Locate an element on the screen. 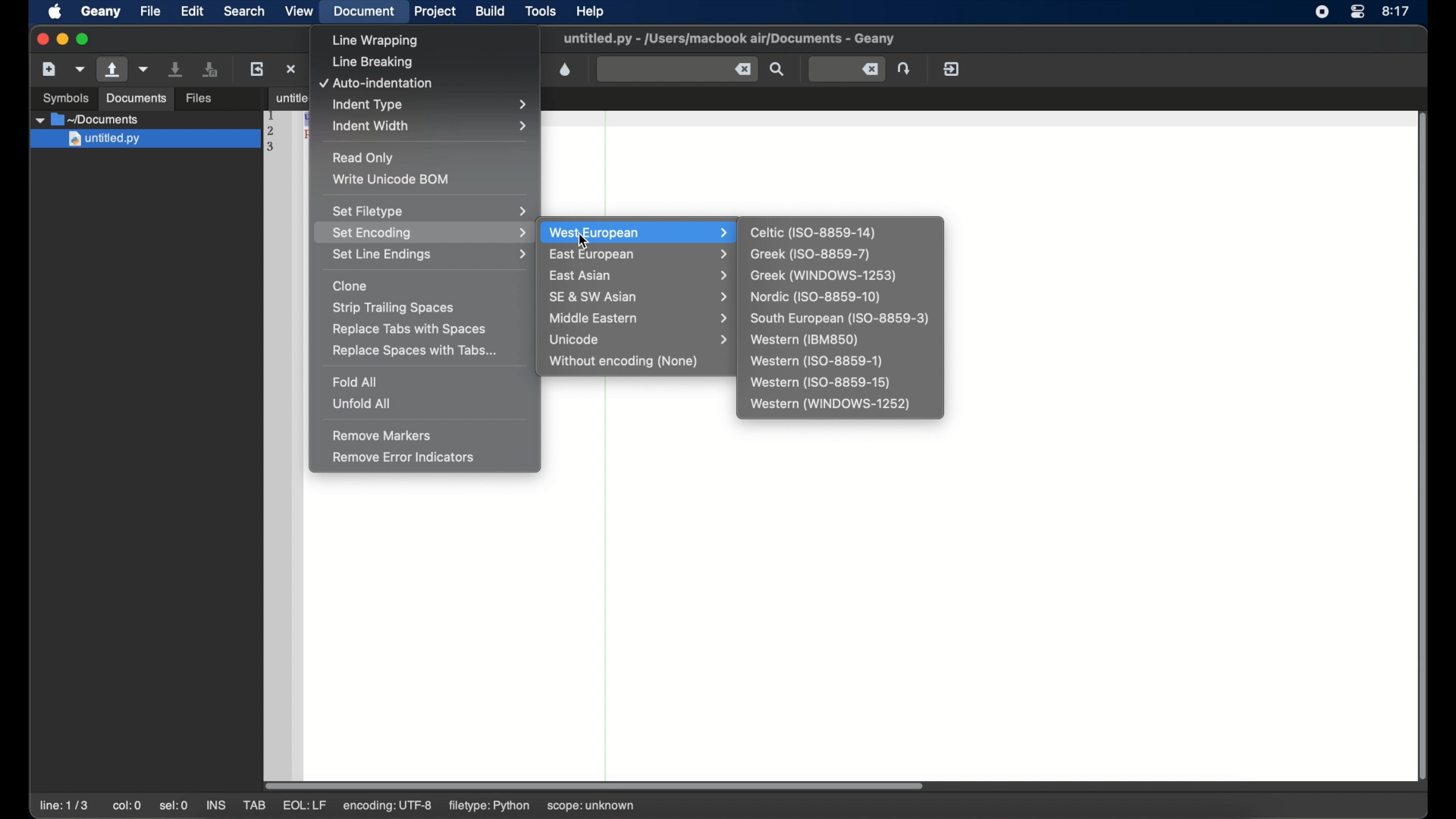  nordic is located at coordinates (814, 297).